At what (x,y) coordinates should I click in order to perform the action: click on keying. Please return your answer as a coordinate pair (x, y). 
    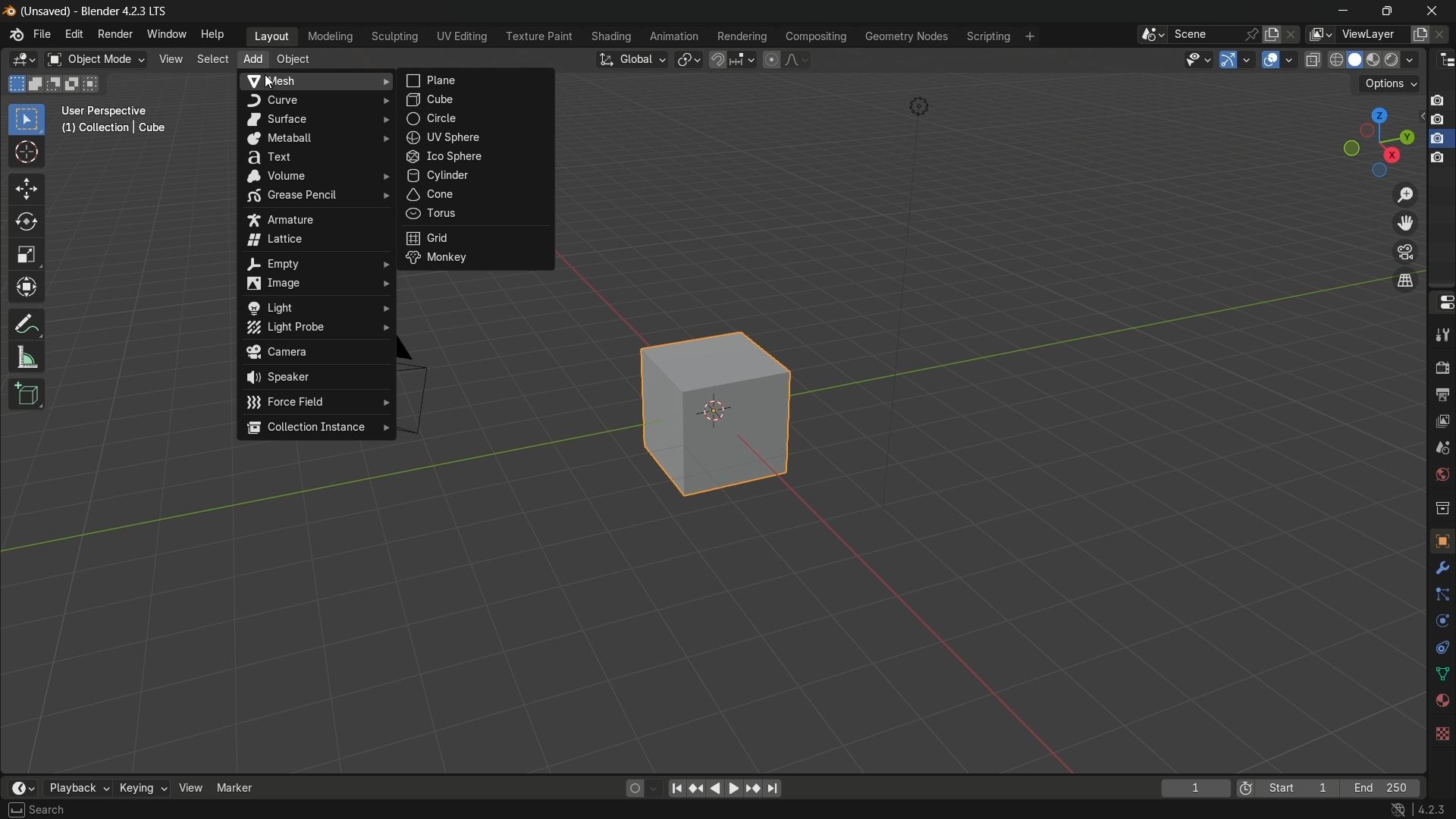
    Looking at the image, I should click on (141, 787).